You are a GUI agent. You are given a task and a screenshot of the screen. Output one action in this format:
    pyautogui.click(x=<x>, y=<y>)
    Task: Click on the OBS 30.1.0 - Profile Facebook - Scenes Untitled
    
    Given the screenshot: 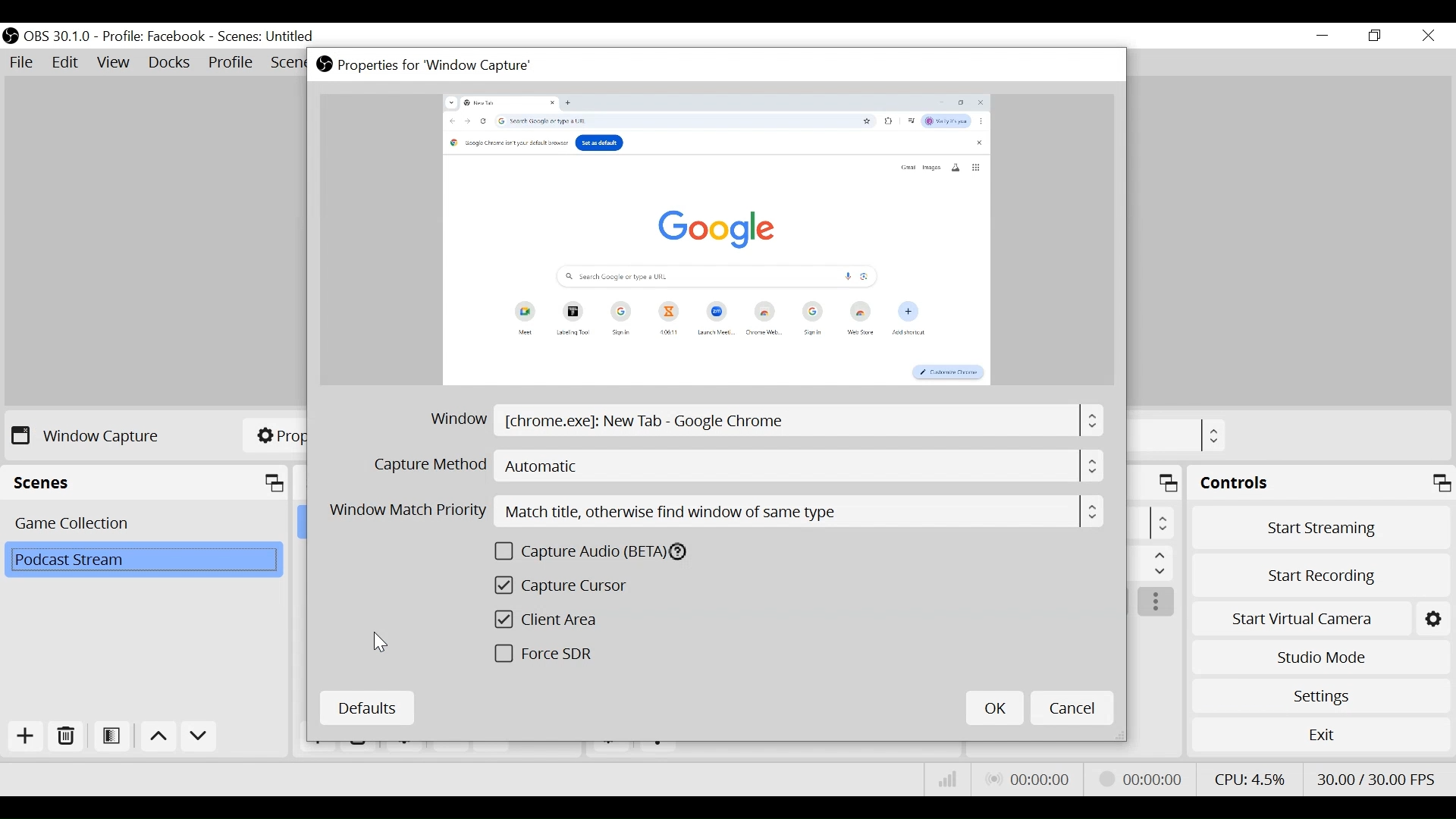 What is the action you would take?
    pyautogui.click(x=173, y=36)
    